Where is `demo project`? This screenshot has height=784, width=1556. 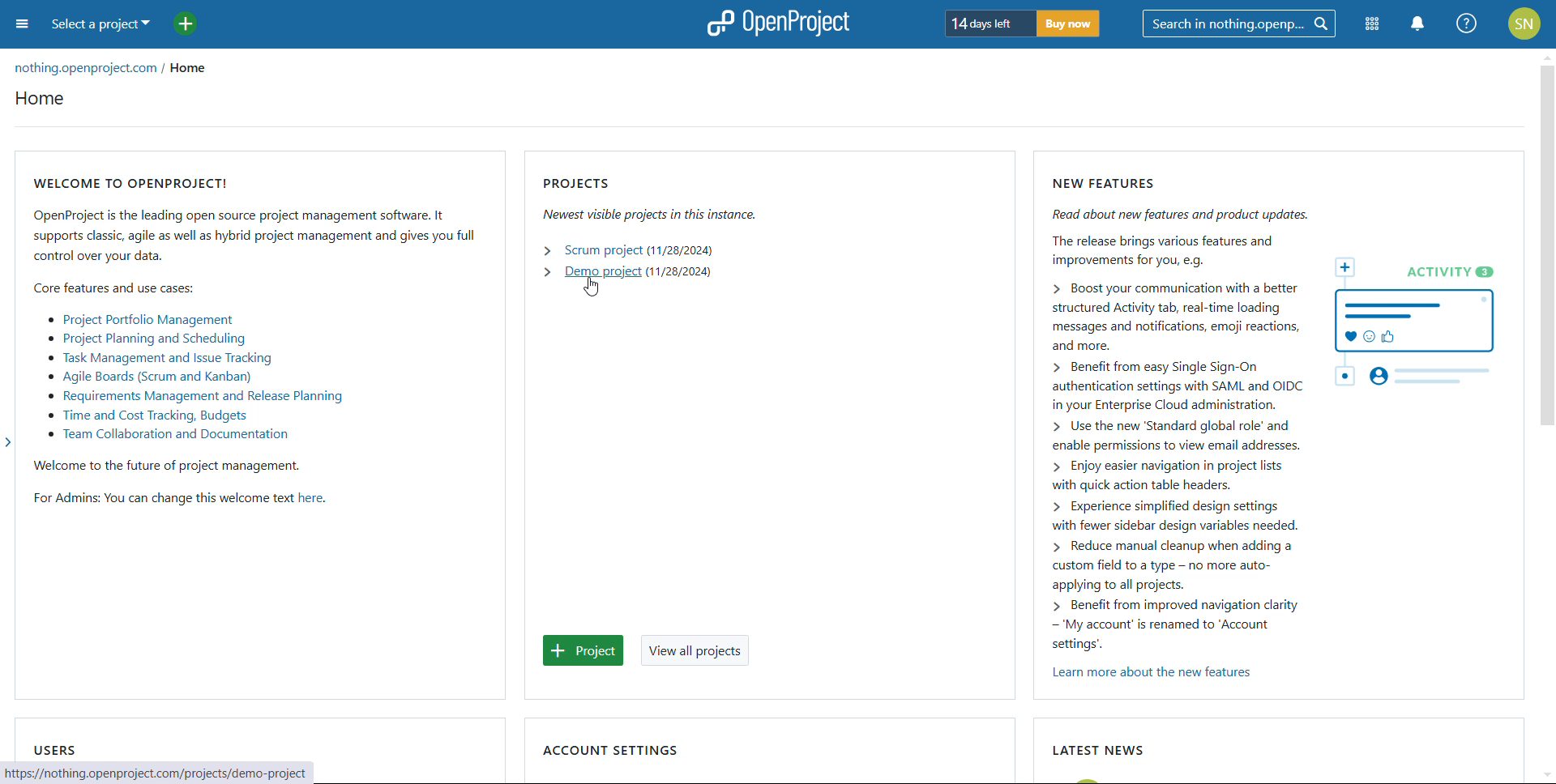
demo project is located at coordinates (602, 271).